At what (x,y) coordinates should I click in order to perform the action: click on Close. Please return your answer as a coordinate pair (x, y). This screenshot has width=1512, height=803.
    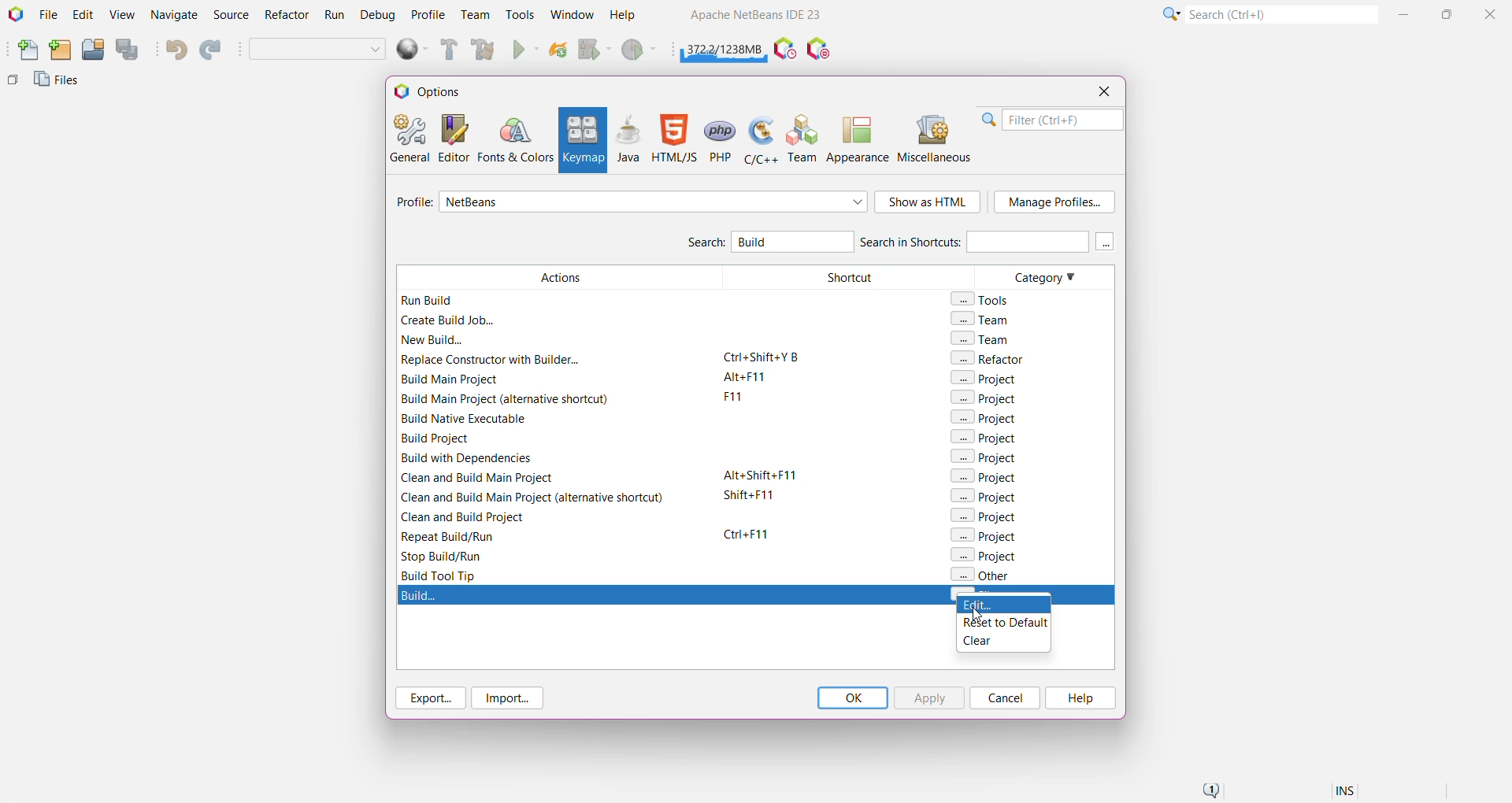
    Looking at the image, I should click on (1492, 13).